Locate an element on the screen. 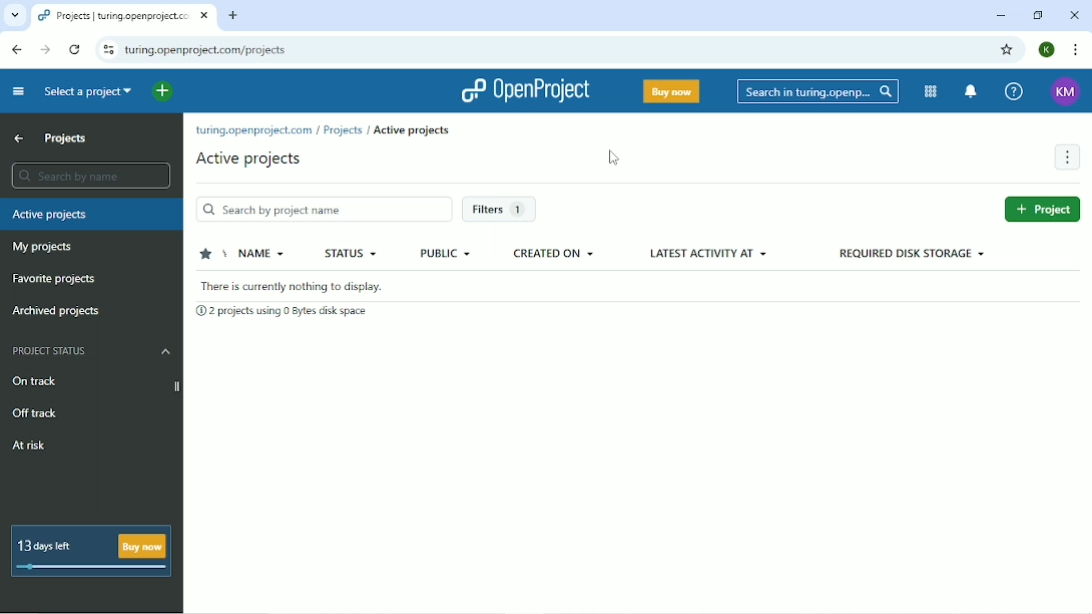  OpenProject is located at coordinates (529, 90).